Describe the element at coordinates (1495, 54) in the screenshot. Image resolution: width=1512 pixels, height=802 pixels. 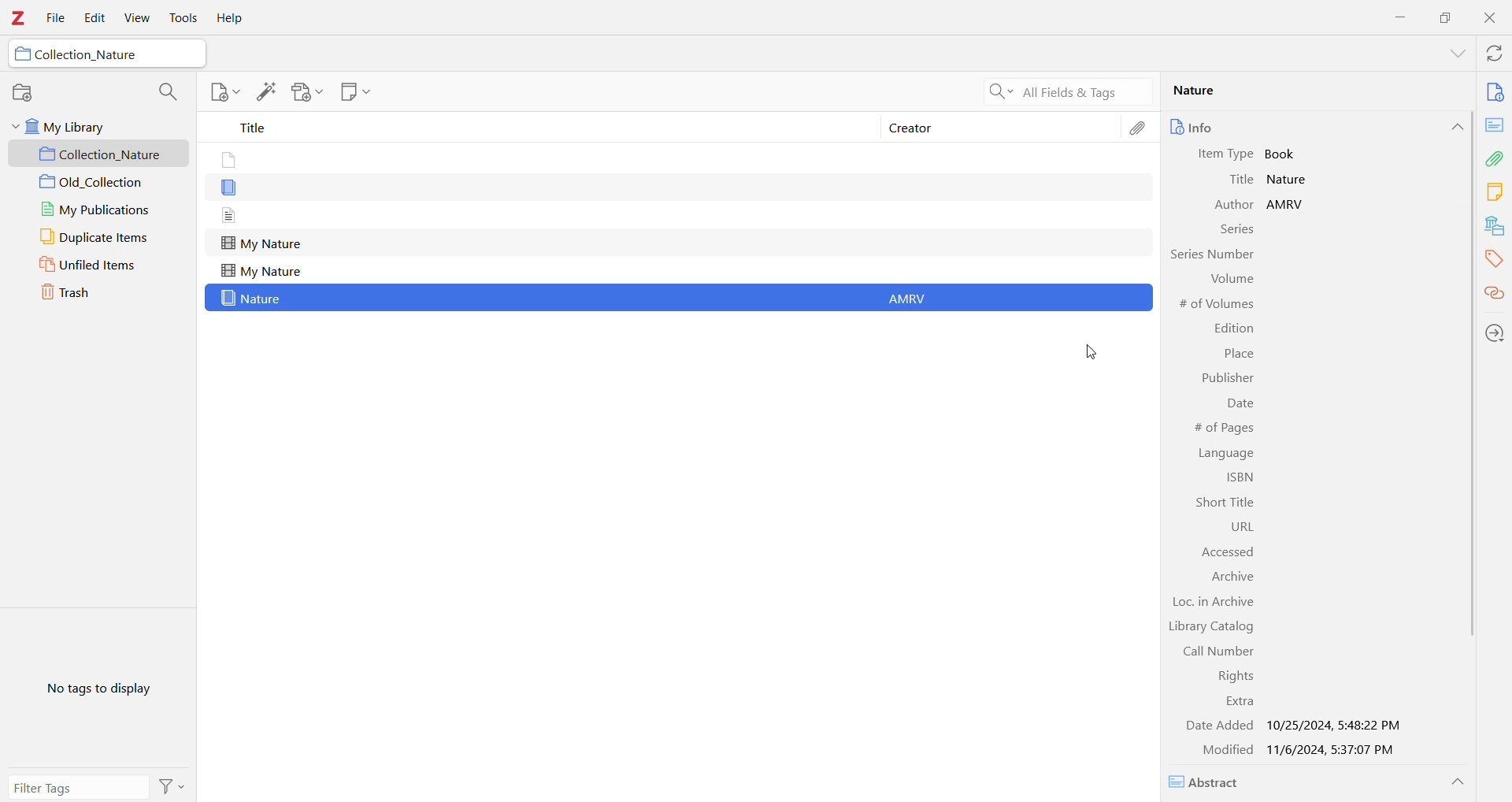
I see `Sync with zotero.org` at that location.